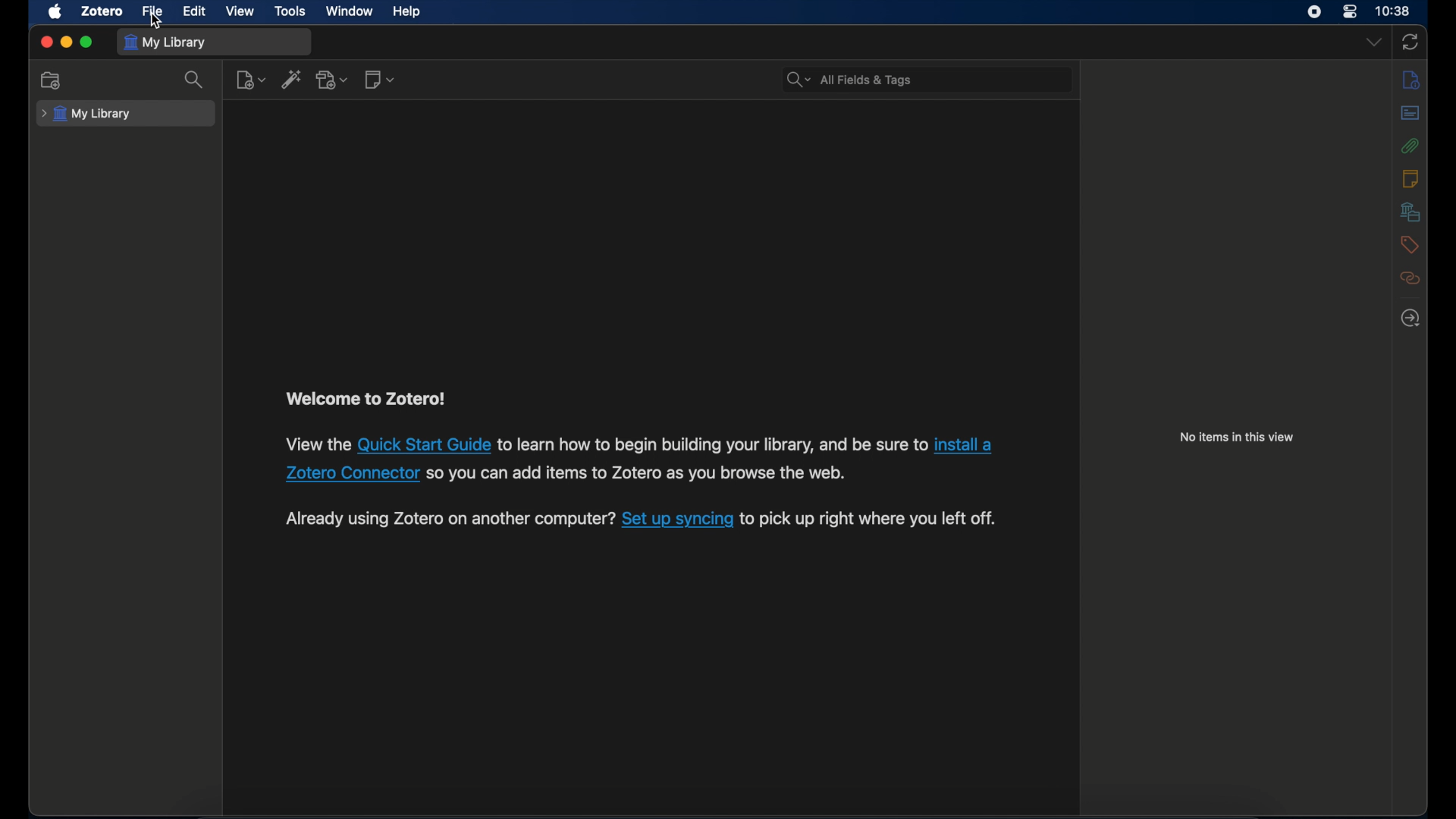  What do you see at coordinates (1410, 244) in the screenshot?
I see `tags` at bounding box center [1410, 244].